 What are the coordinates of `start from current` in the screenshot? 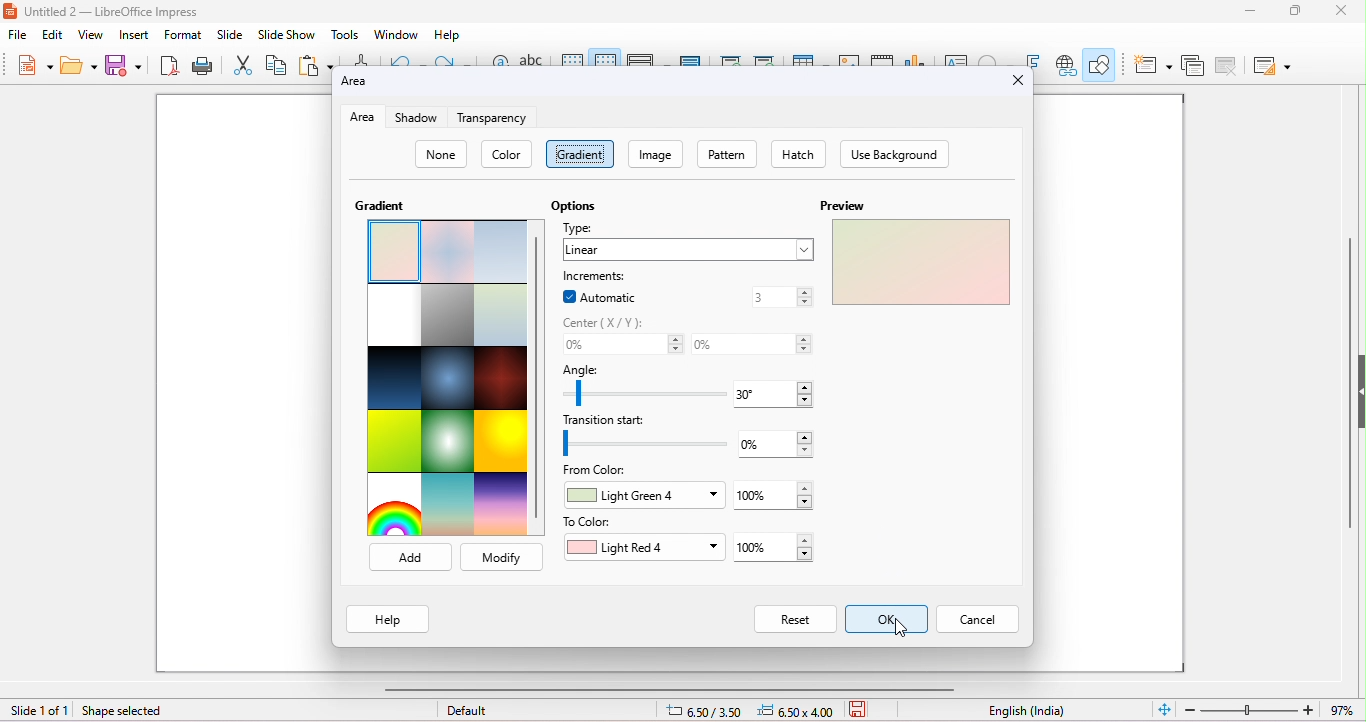 It's located at (764, 58).